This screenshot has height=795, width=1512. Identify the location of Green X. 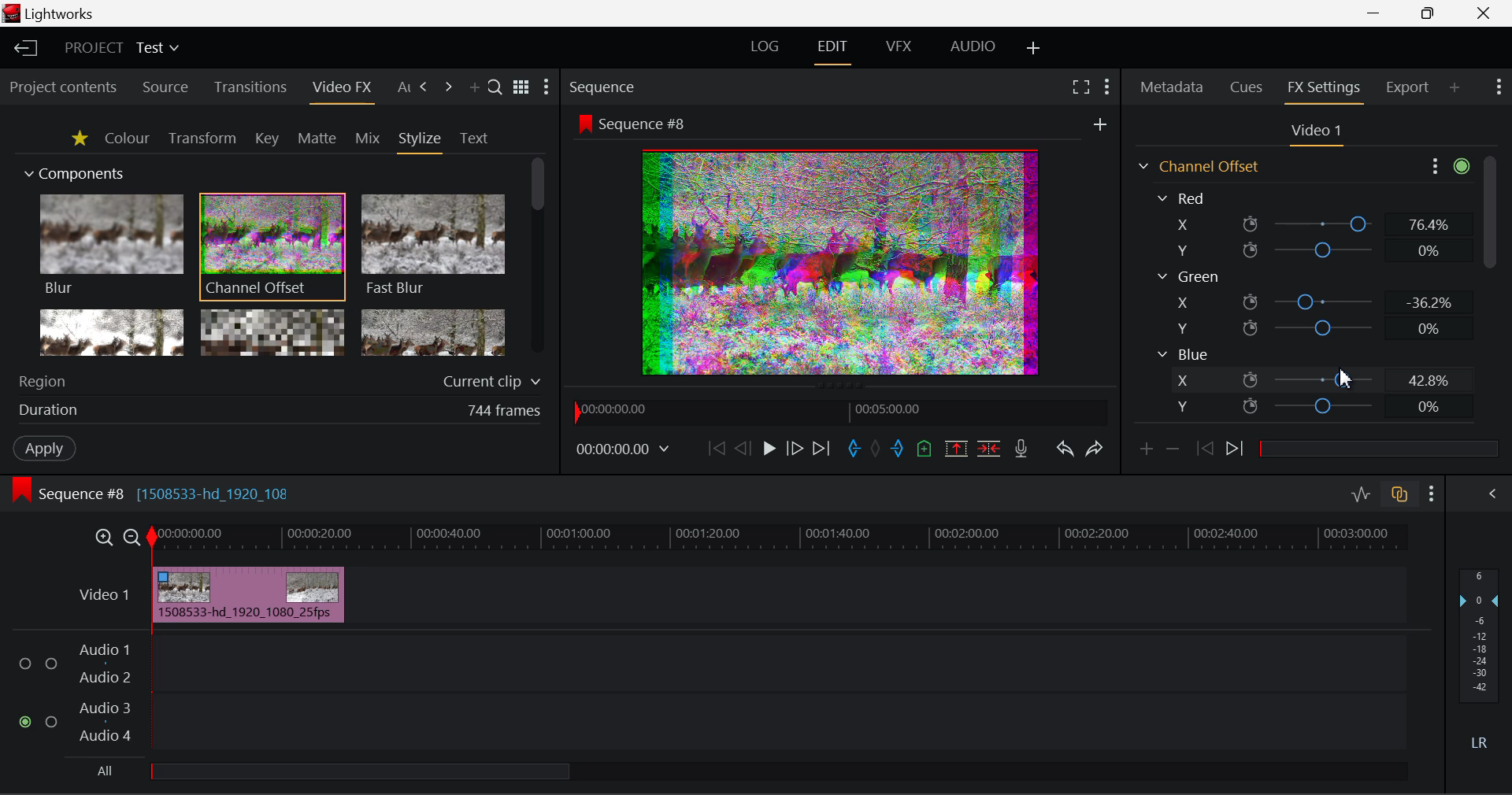
(1310, 301).